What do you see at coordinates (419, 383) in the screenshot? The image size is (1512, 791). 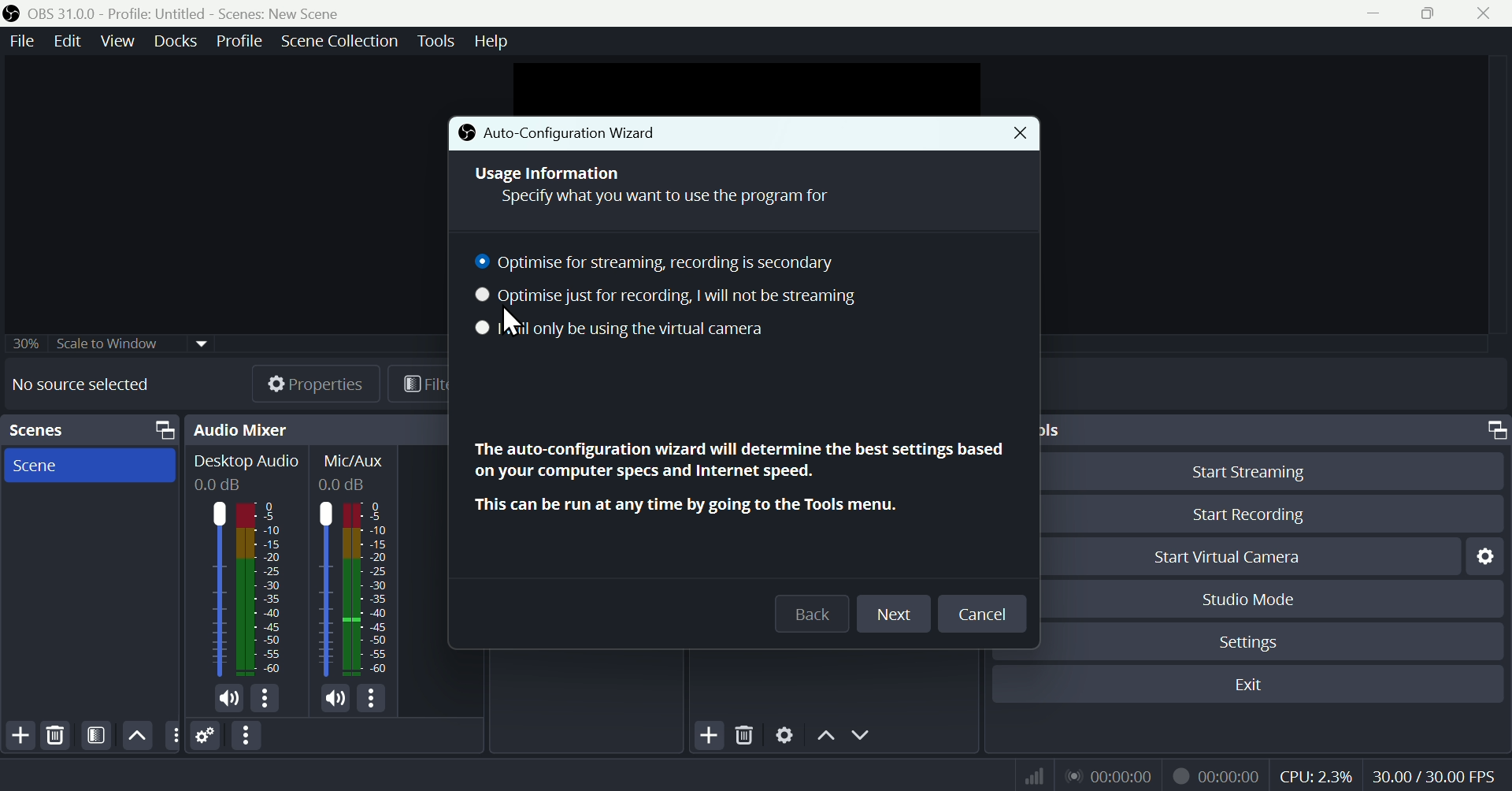 I see `Filters` at bounding box center [419, 383].